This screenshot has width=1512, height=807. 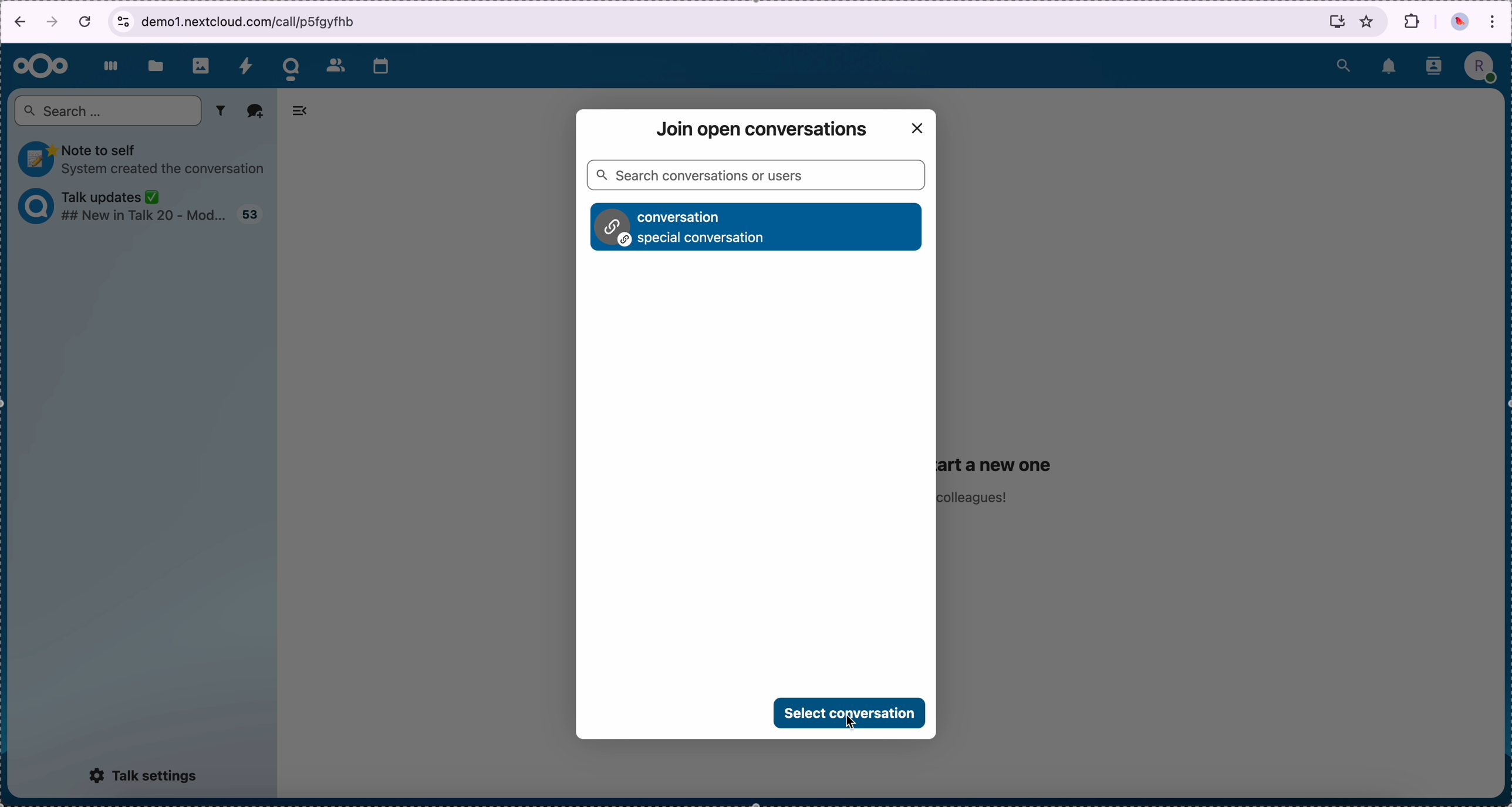 I want to click on talk settings, so click(x=144, y=776).